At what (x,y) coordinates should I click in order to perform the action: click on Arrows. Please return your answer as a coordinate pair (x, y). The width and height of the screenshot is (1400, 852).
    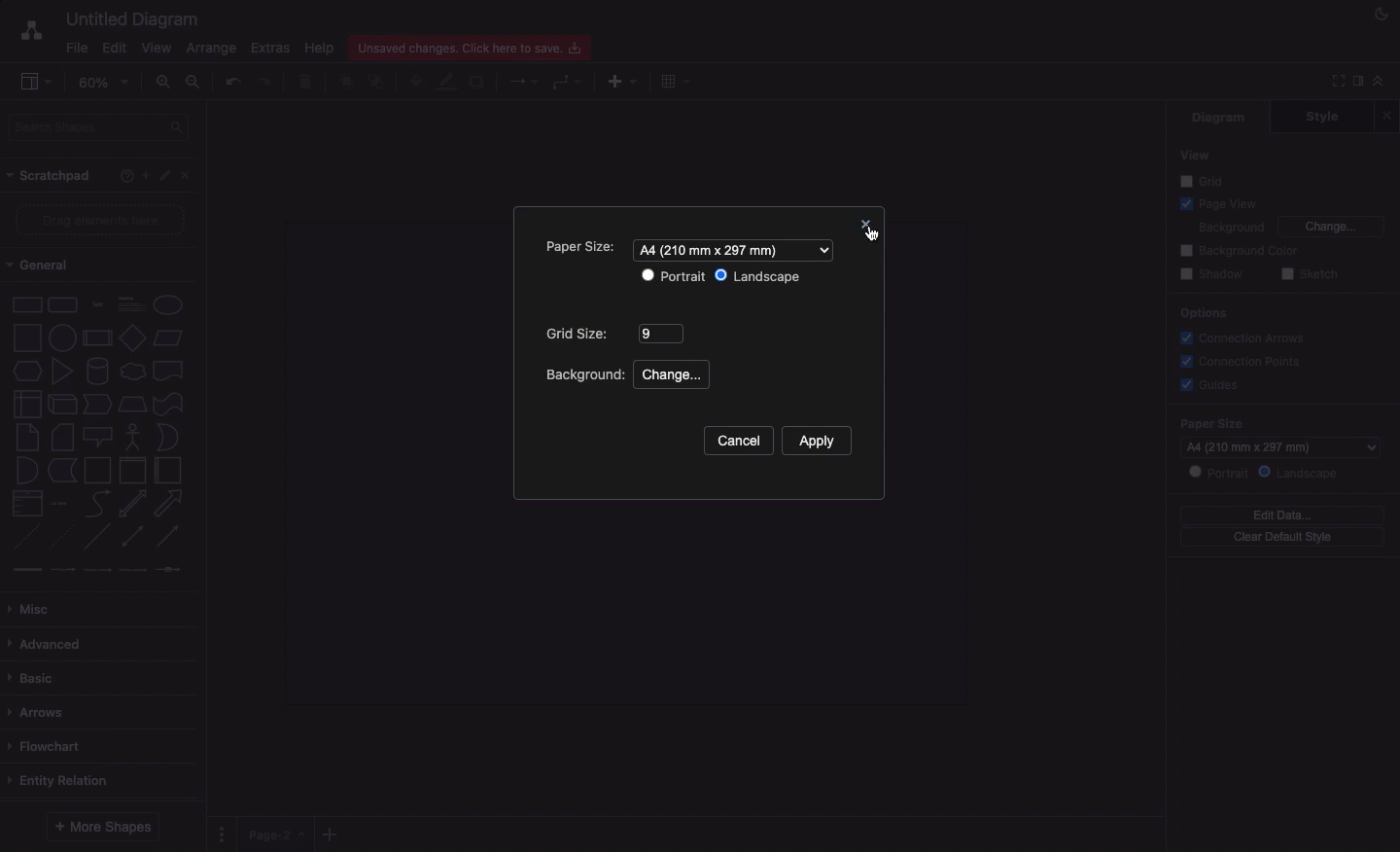
    Looking at the image, I should click on (43, 712).